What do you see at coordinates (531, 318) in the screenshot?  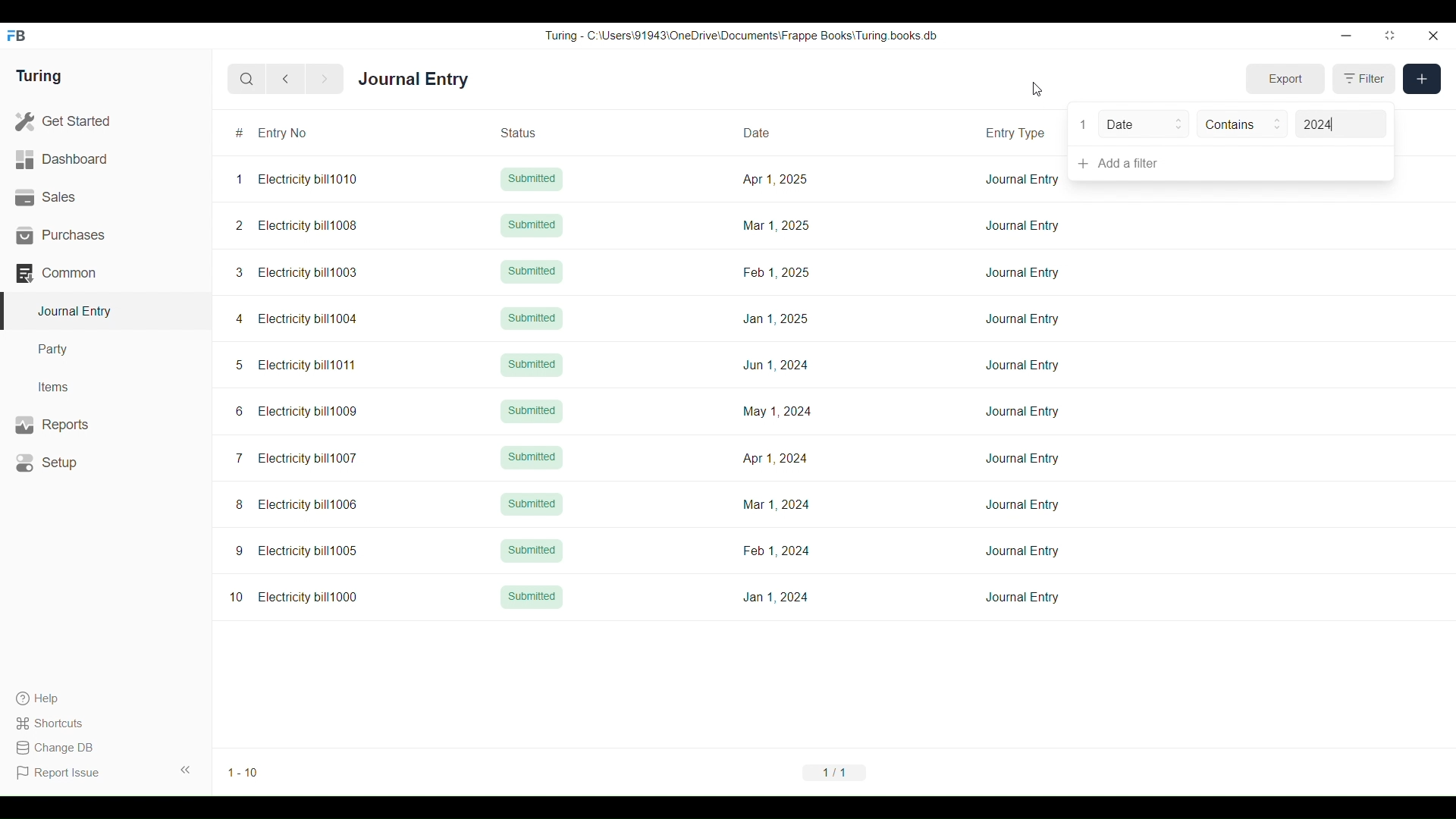 I see `Submitted` at bounding box center [531, 318].